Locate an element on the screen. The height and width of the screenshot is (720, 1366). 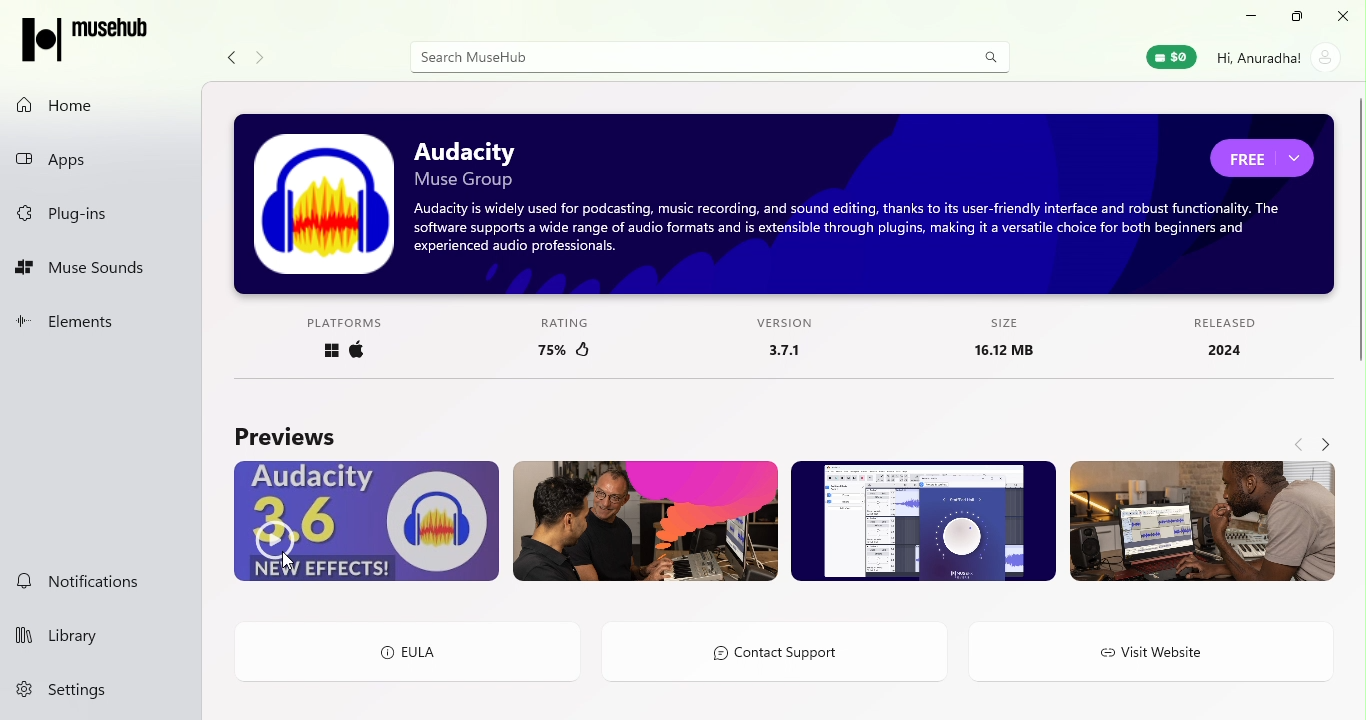
Navigate back is located at coordinates (1299, 442).